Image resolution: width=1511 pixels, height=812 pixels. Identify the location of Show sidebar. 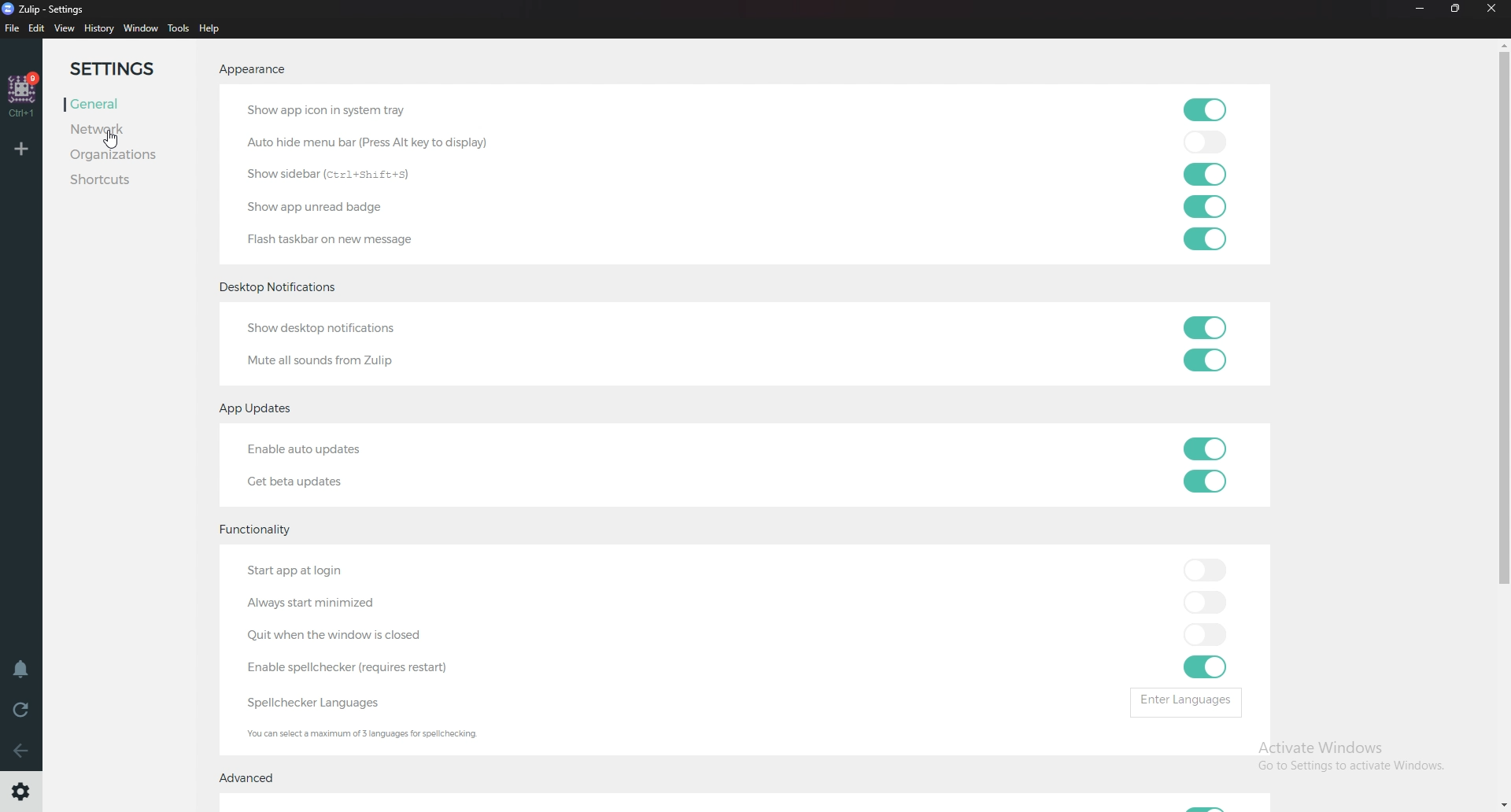
(342, 175).